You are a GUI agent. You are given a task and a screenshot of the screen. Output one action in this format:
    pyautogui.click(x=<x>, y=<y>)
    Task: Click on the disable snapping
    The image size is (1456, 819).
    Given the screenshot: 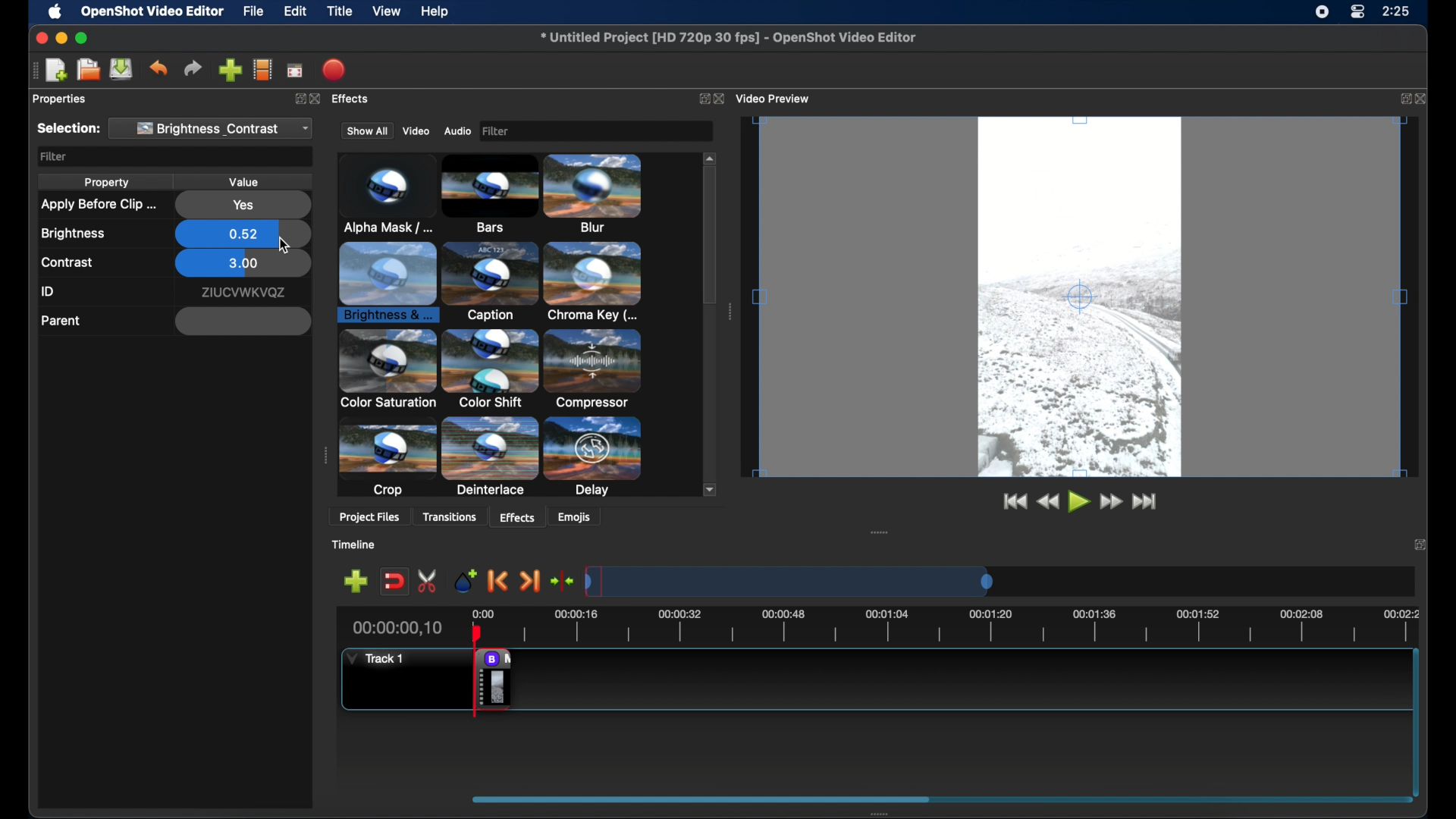 What is the action you would take?
    pyautogui.click(x=390, y=582)
    